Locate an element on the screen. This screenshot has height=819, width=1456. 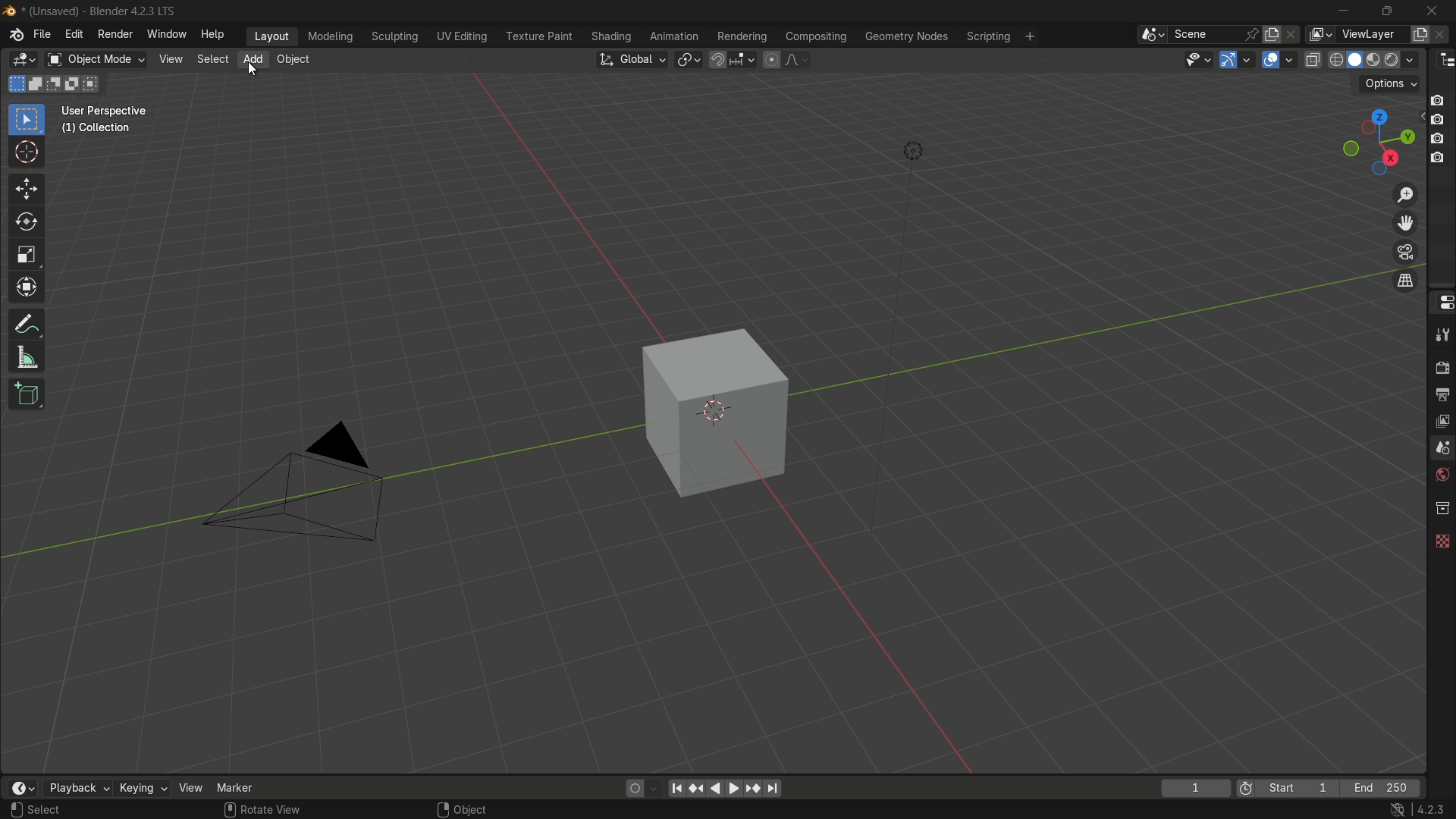
scripting menu is located at coordinates (987, 37).